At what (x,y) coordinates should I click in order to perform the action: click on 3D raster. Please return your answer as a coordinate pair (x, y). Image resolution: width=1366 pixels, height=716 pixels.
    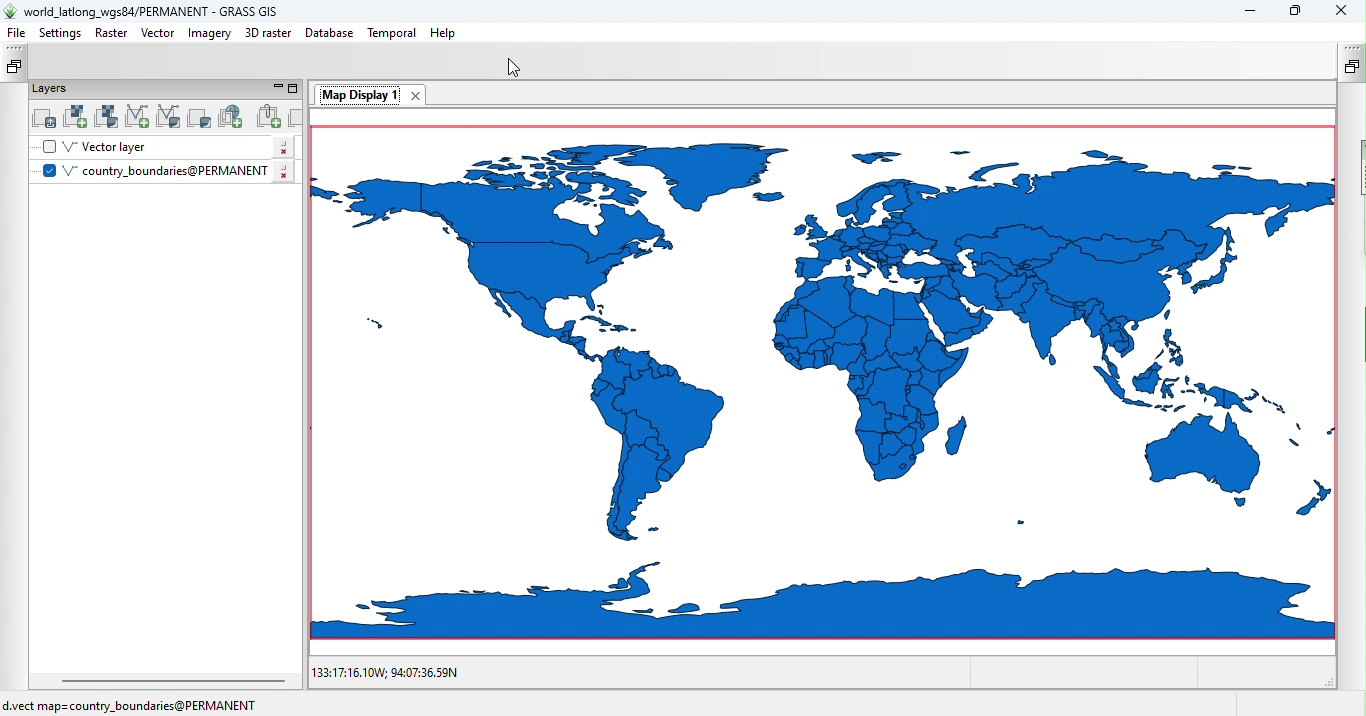
    Looking at the image, I should click on (268, 35).